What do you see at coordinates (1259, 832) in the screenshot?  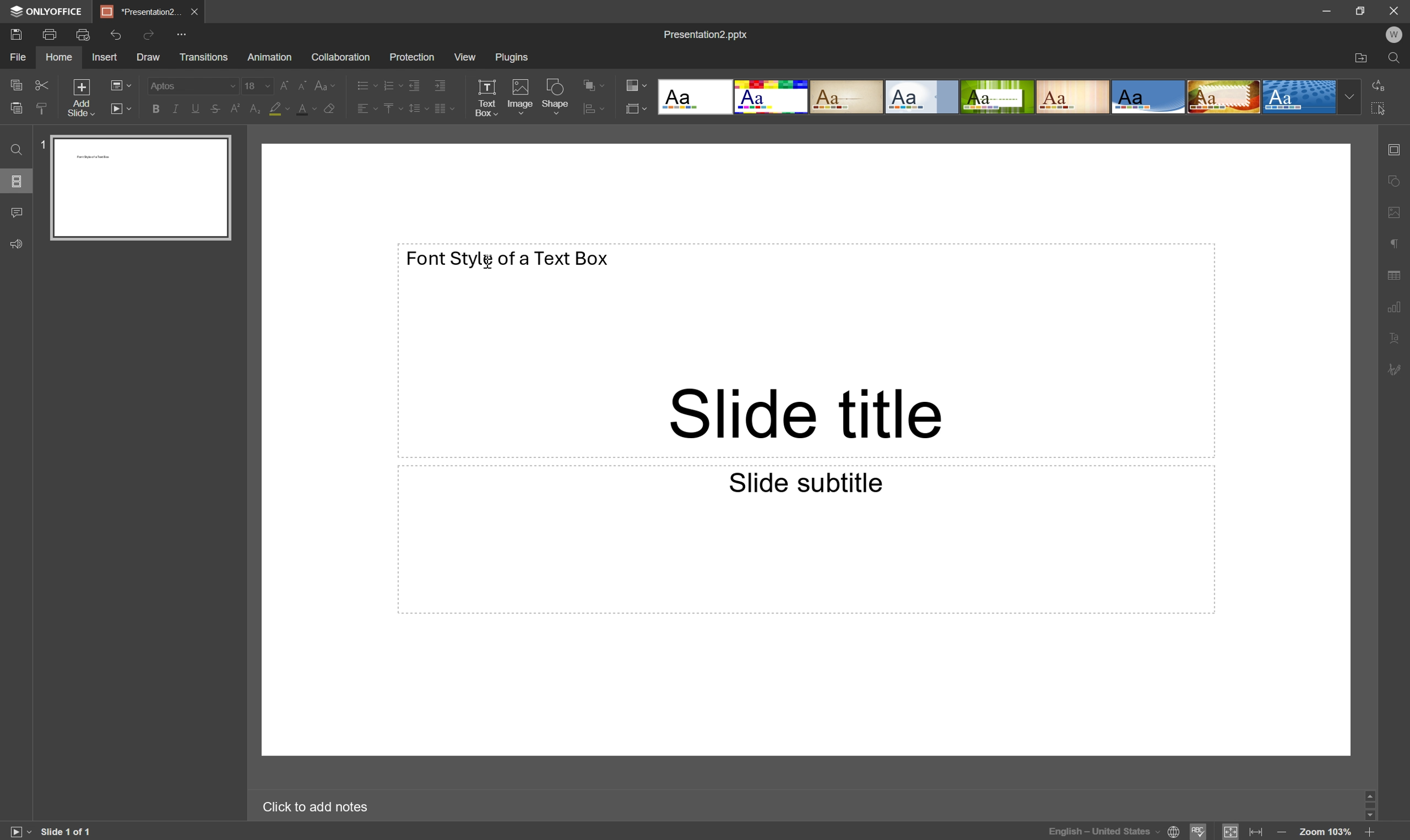 I see `Fit to width` at bounding box center [1259, 832].